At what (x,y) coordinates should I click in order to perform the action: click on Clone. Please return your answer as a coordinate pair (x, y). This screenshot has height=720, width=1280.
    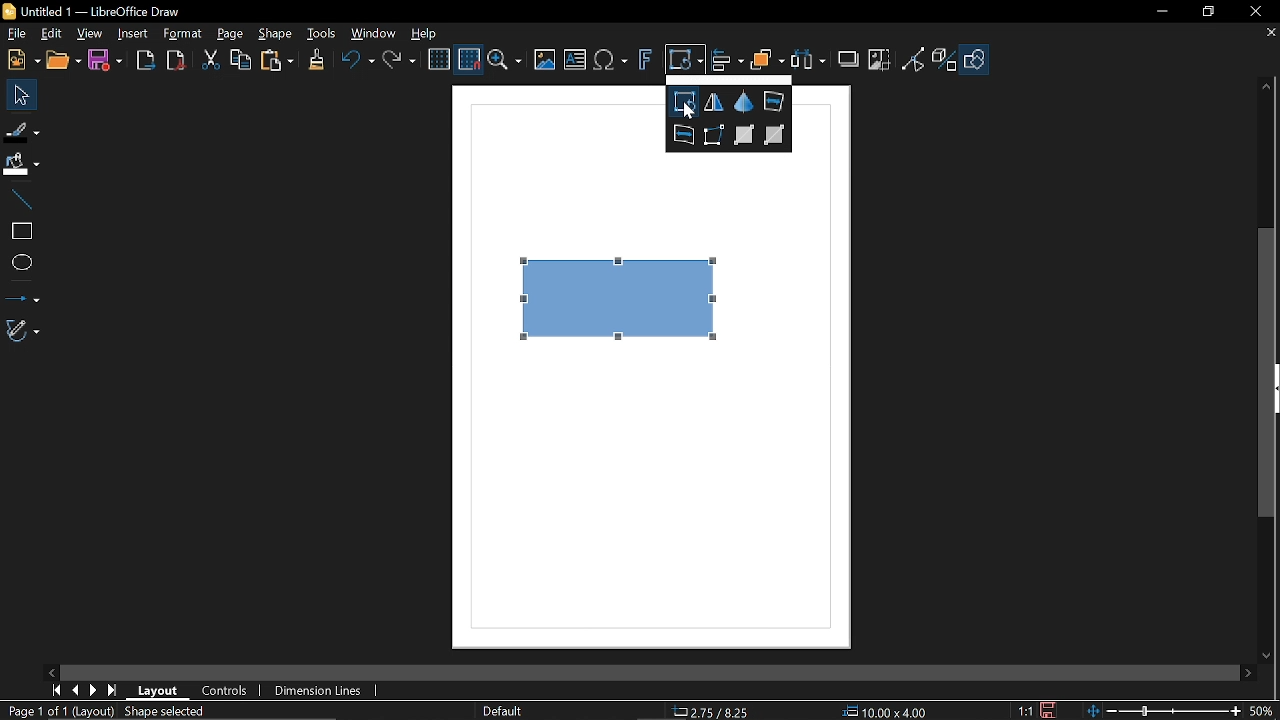
    Looking at the image, I should click on (316, 61).